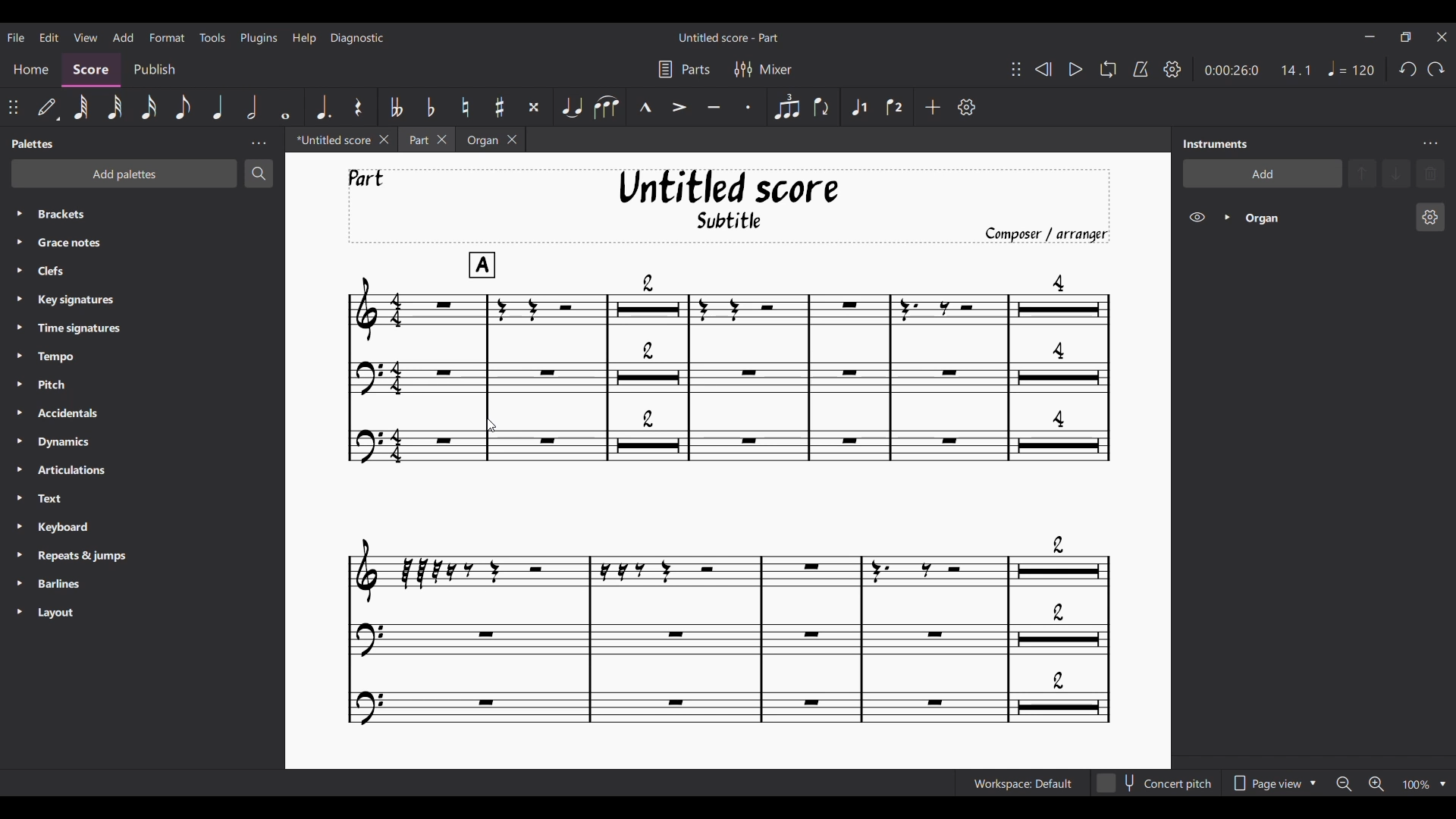 The height and width of the screenshot is (819, 1456). Describe the element at coordinates (252, 106) in the screenshot. I see `Half note` at that location.